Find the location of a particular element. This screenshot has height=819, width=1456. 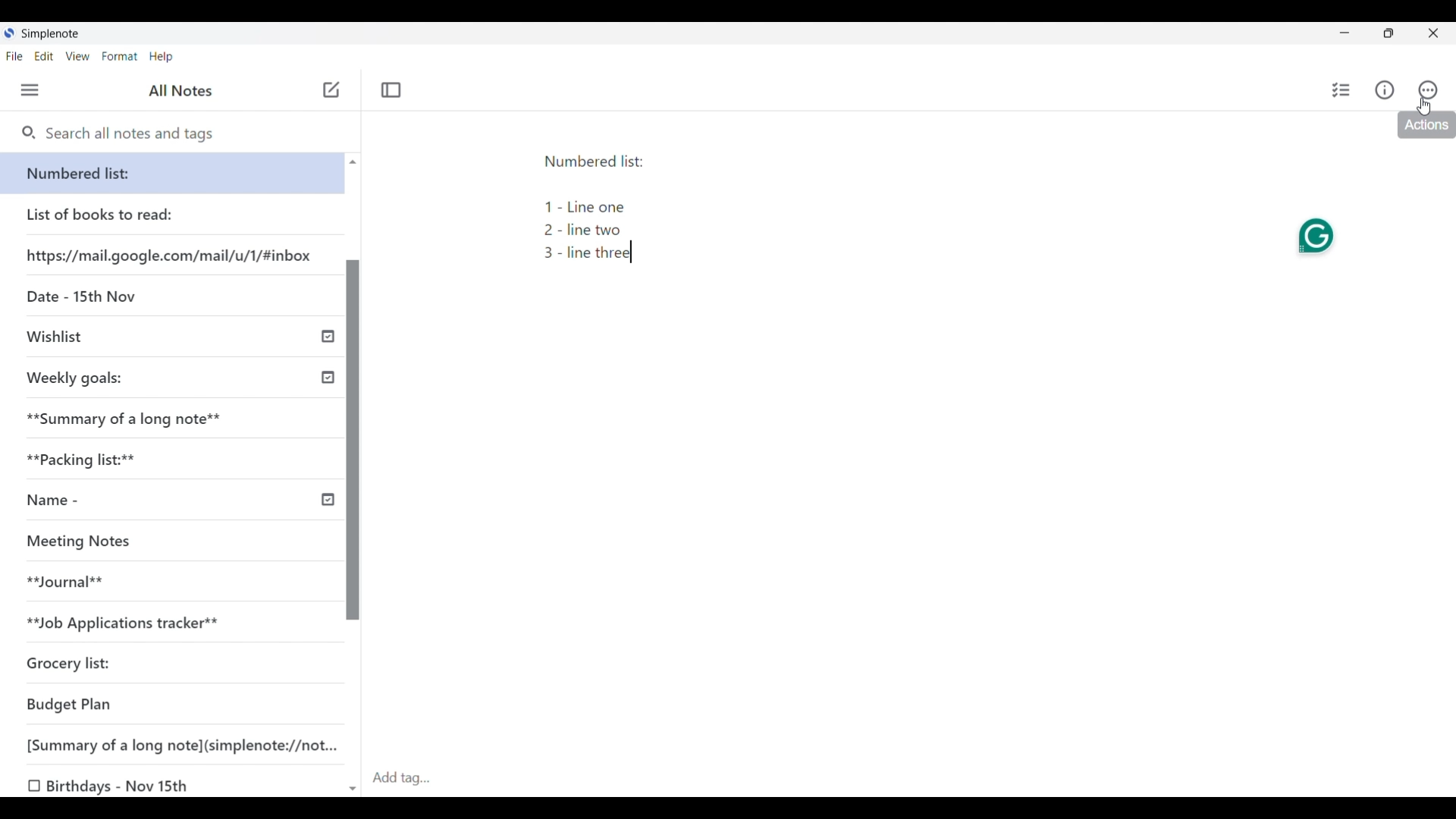

File menu is located at coordinates (14, 56).